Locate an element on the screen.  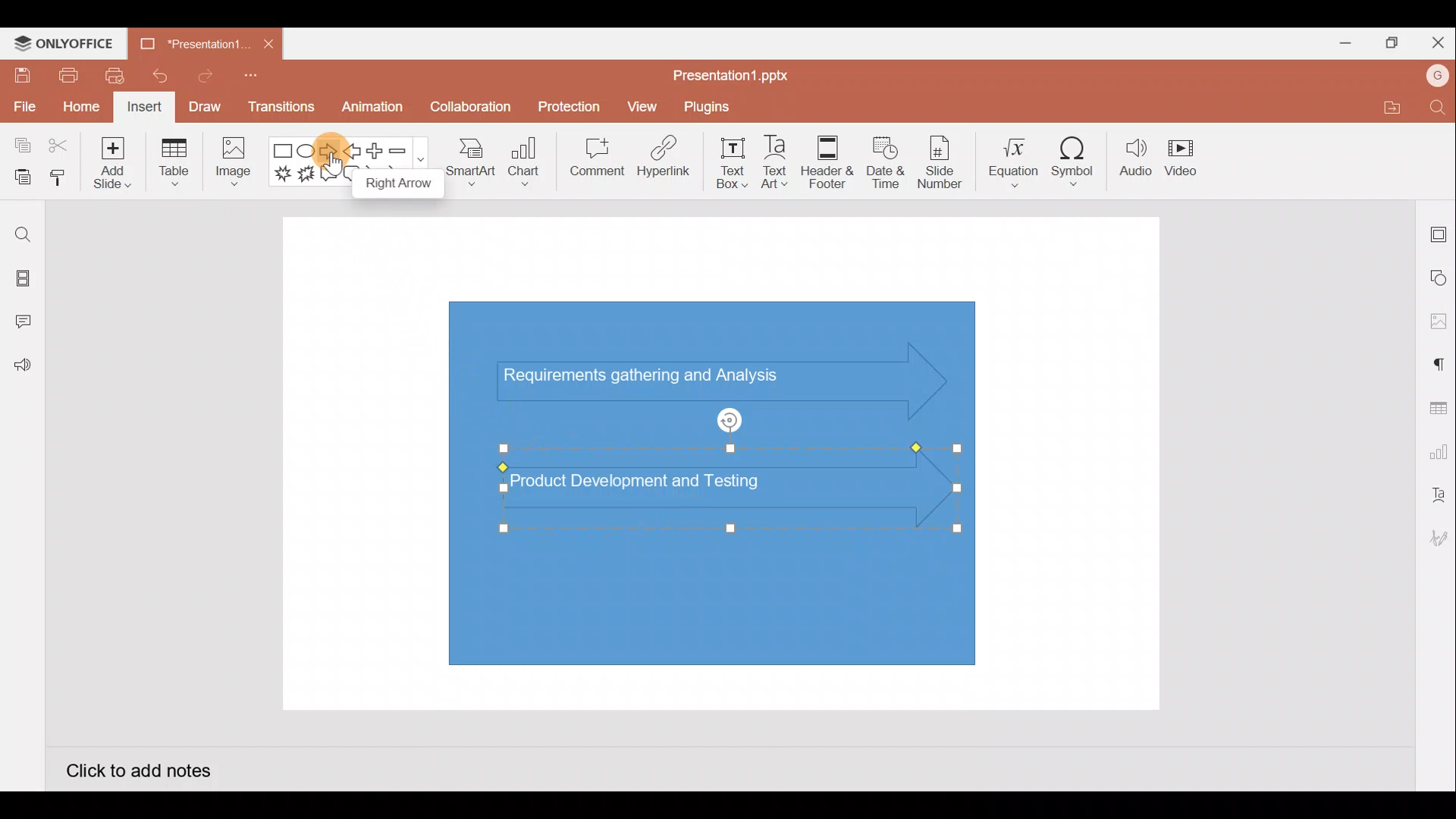
SmartArt is located at coordinates (469, 159).